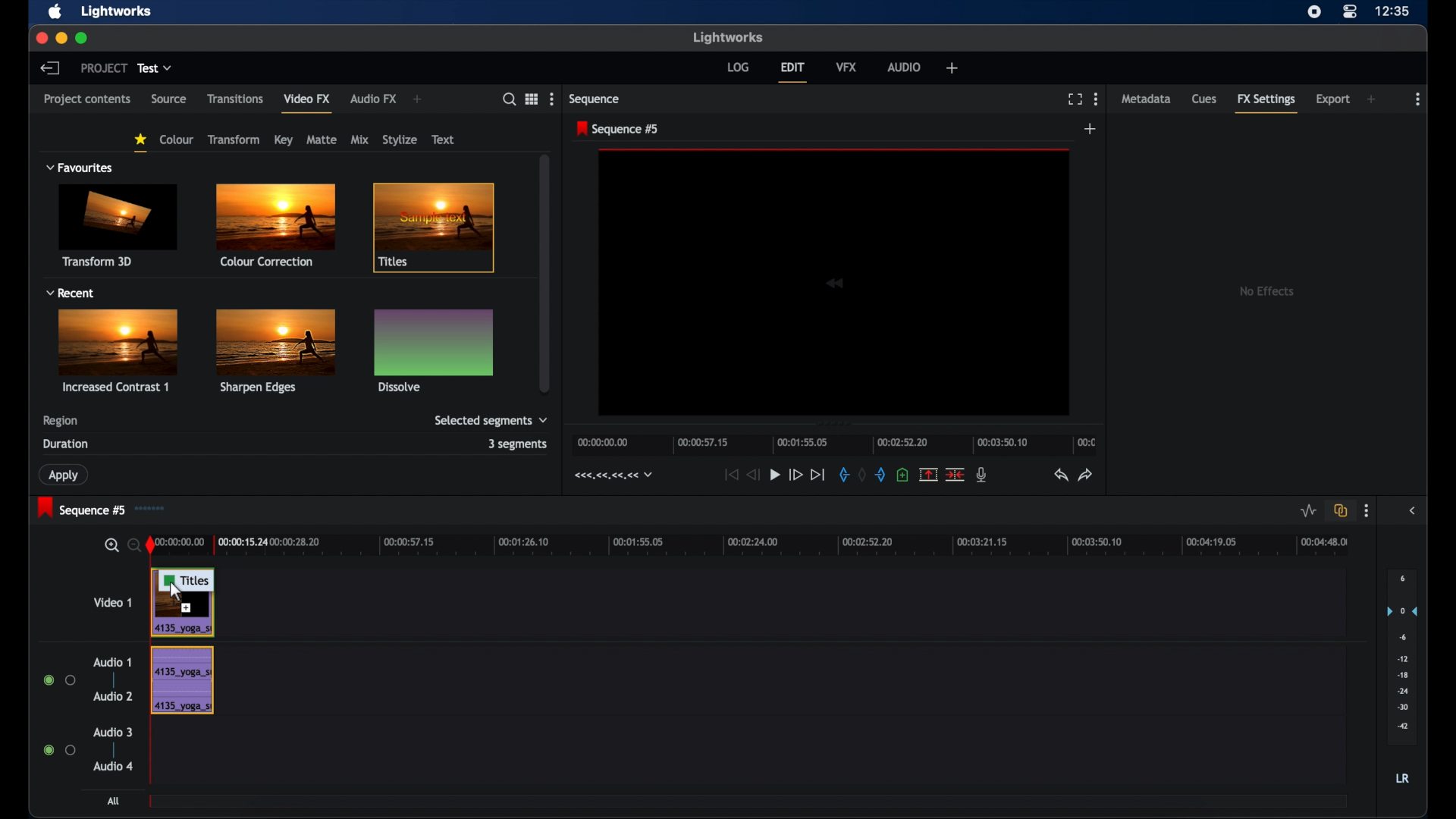 This screenshot has height=819, width=1456. Describe the element at coordinates (115, 802) in the screenshot. I see `all` at that location.